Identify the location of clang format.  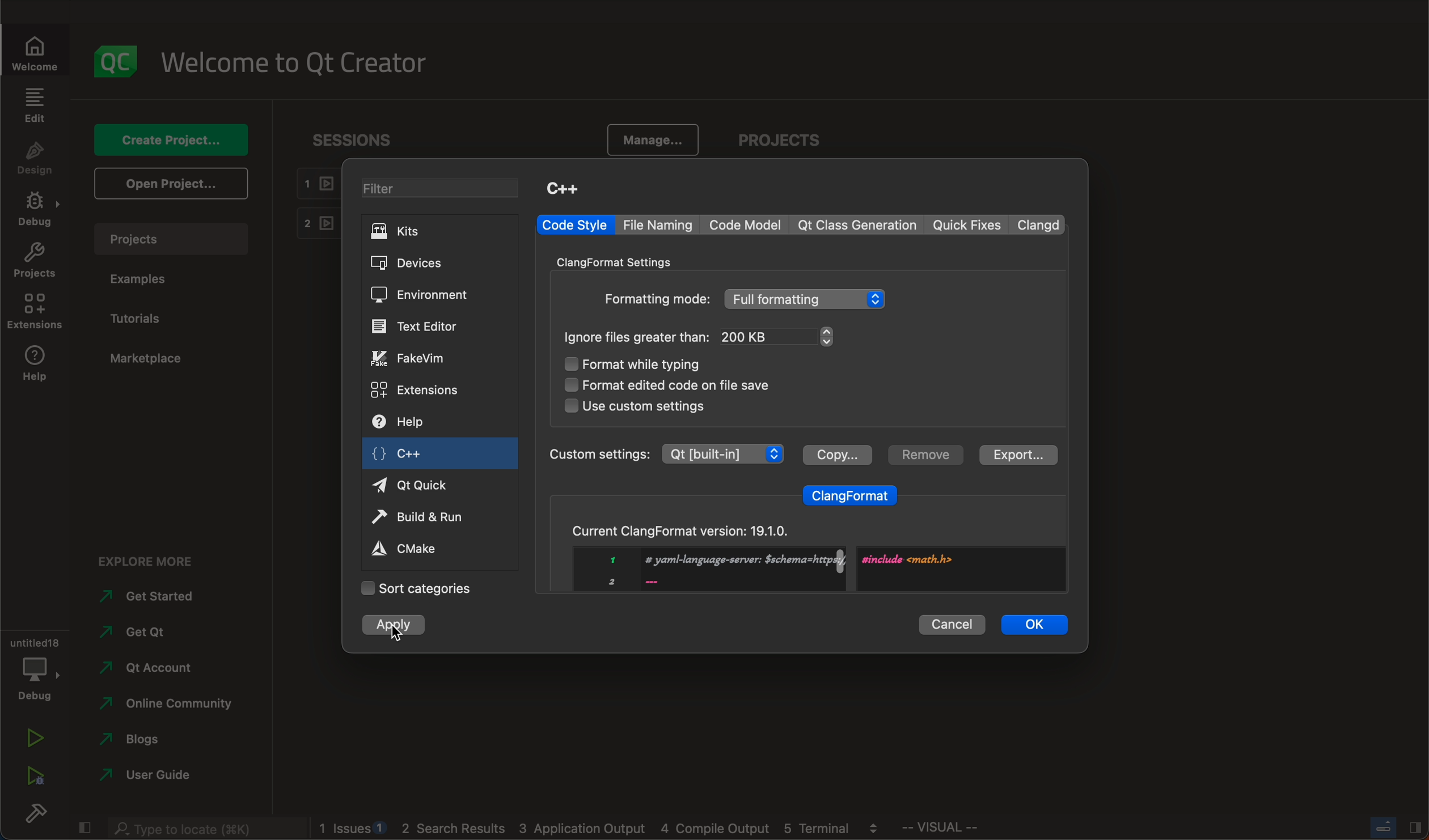
(851, 493).